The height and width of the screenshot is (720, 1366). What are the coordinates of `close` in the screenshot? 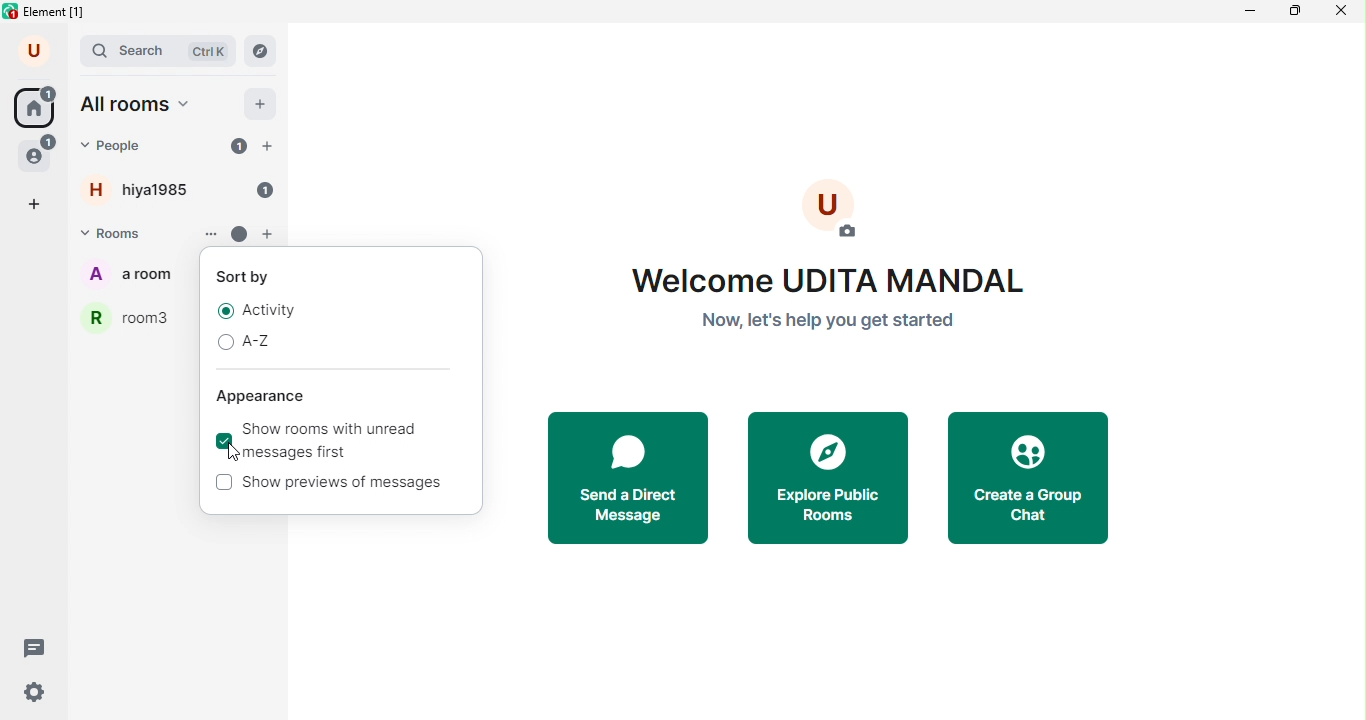 It's located at (1340, 12).